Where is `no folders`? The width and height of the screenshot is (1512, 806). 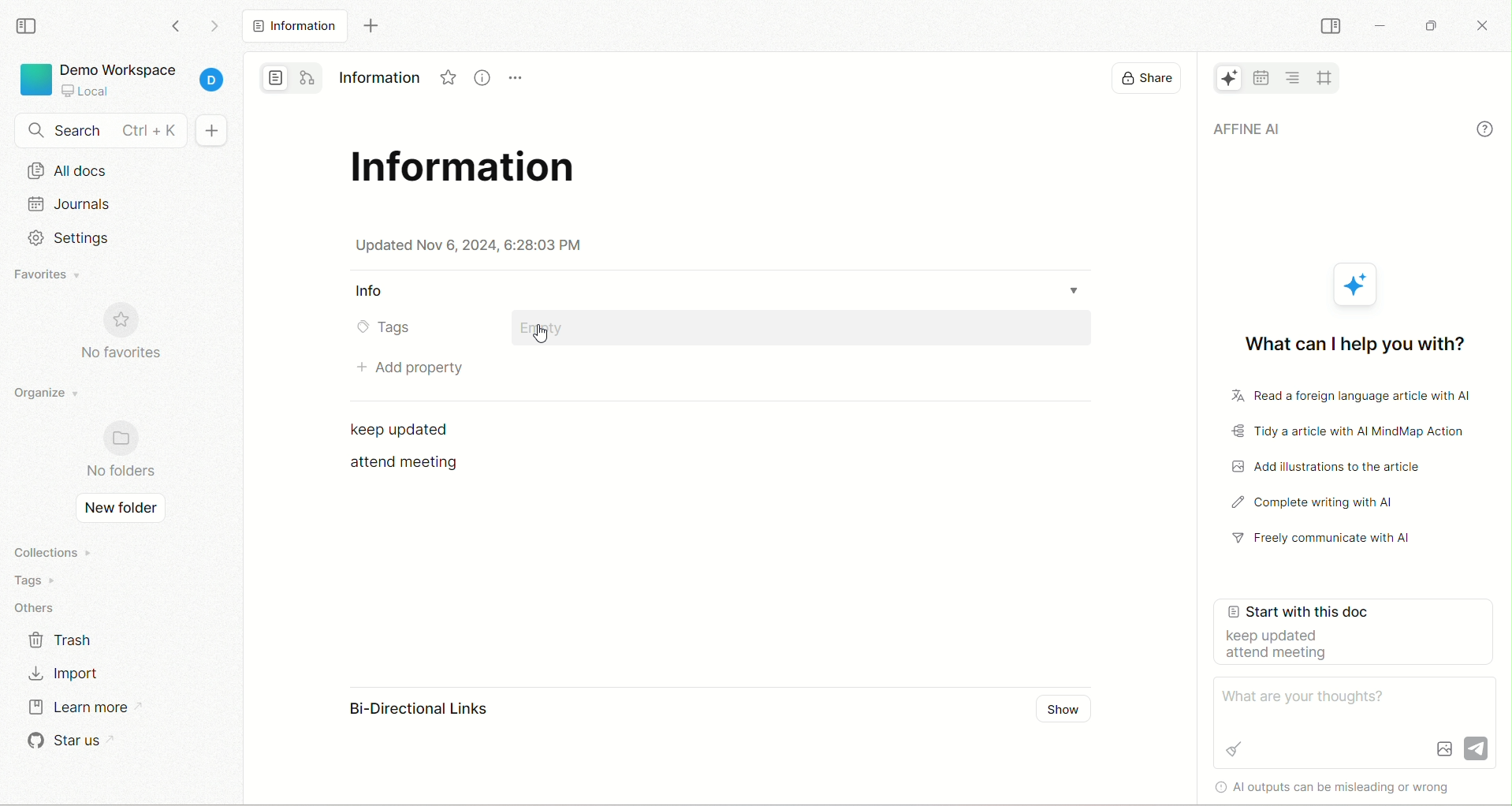 no folders is located at coordinates (119, 453).